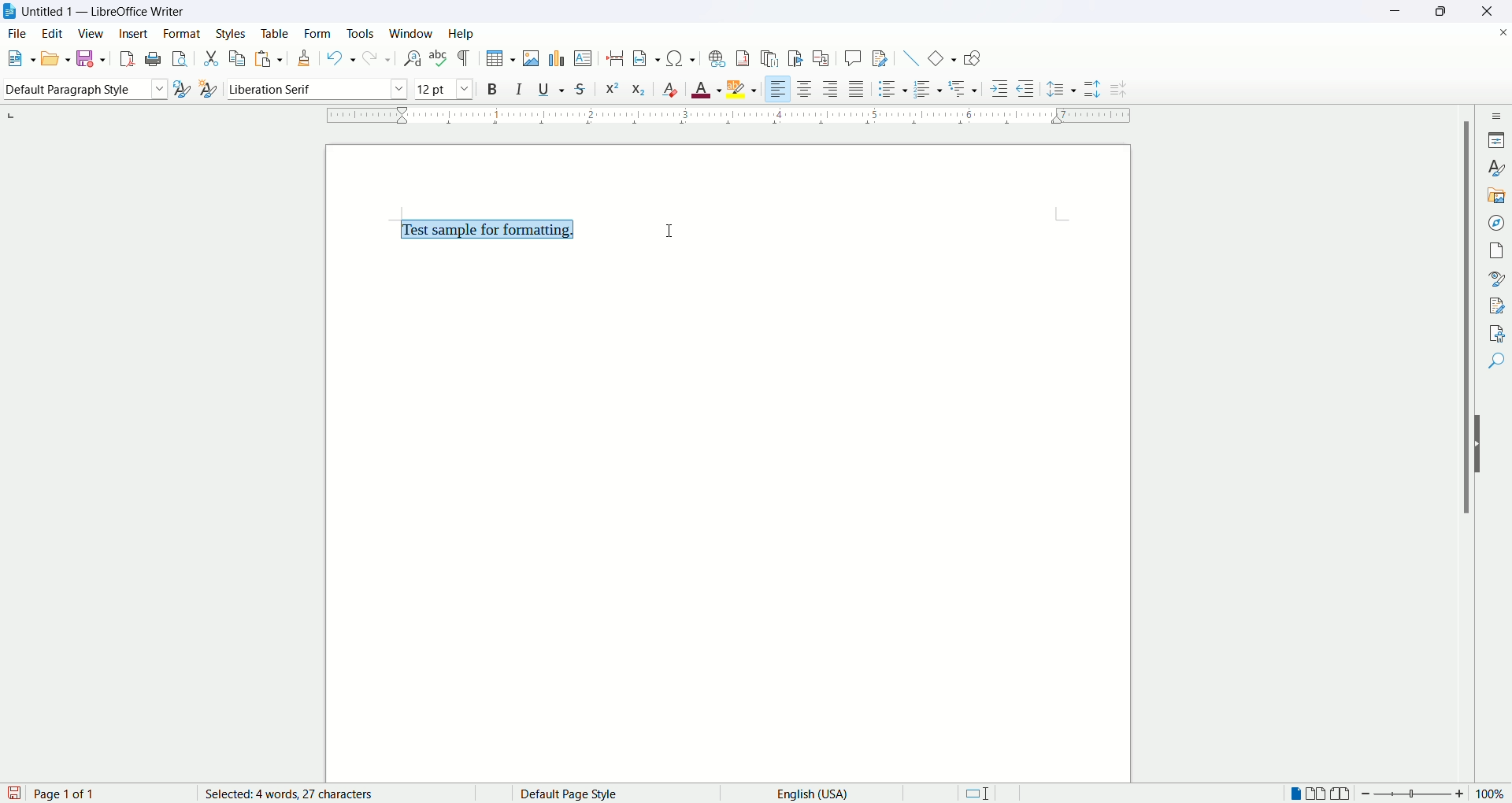 The image size is (1512, 803). What do you see at coordinates (829, 88) in the screenshot?
I see `align right` at bounding box center [829, 88].